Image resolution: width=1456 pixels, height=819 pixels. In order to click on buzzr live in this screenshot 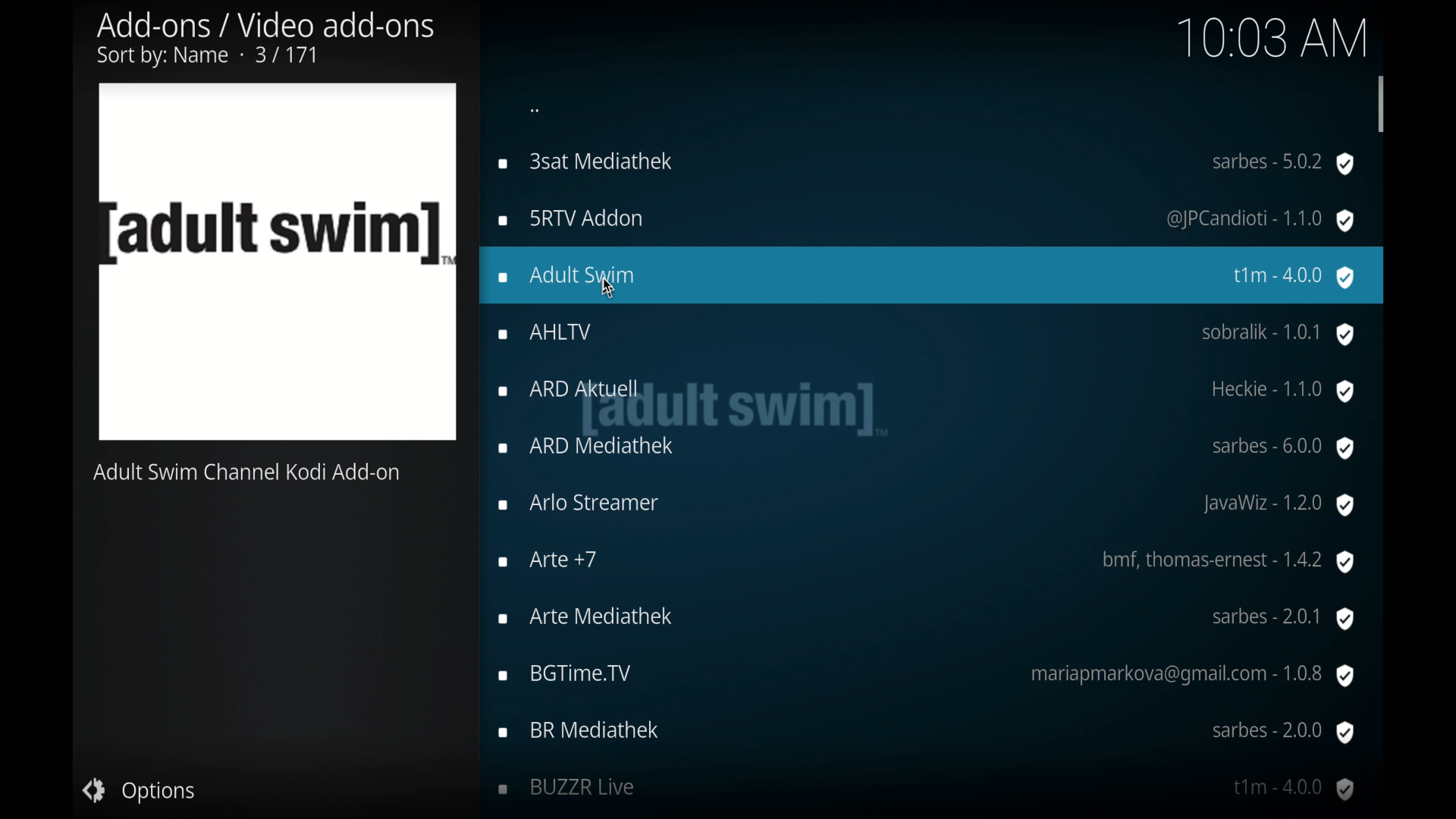, I will do `click(927, 790)`.